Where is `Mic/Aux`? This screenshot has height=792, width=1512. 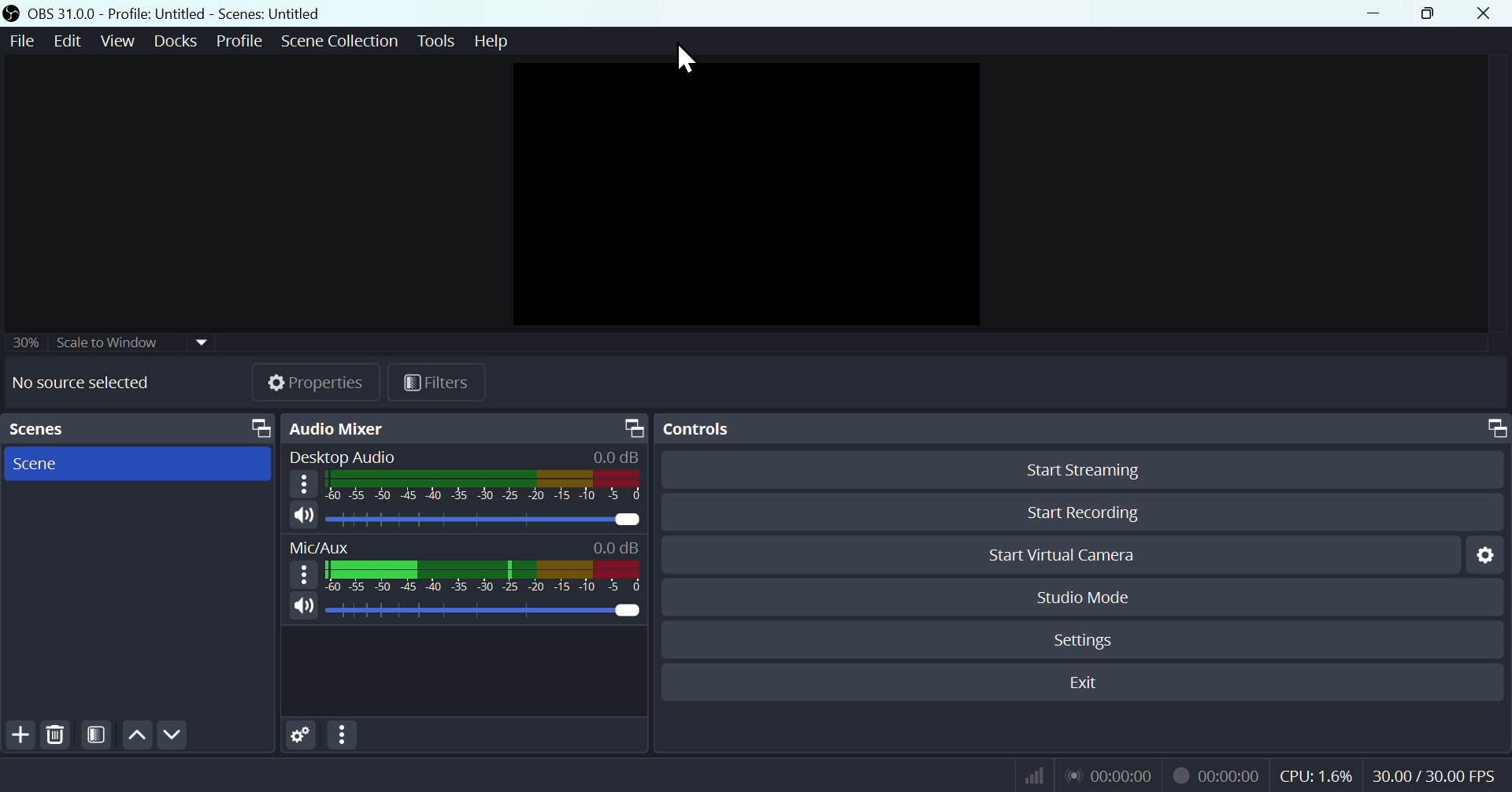
Mic/Aux is located at coordinates (324, 546).